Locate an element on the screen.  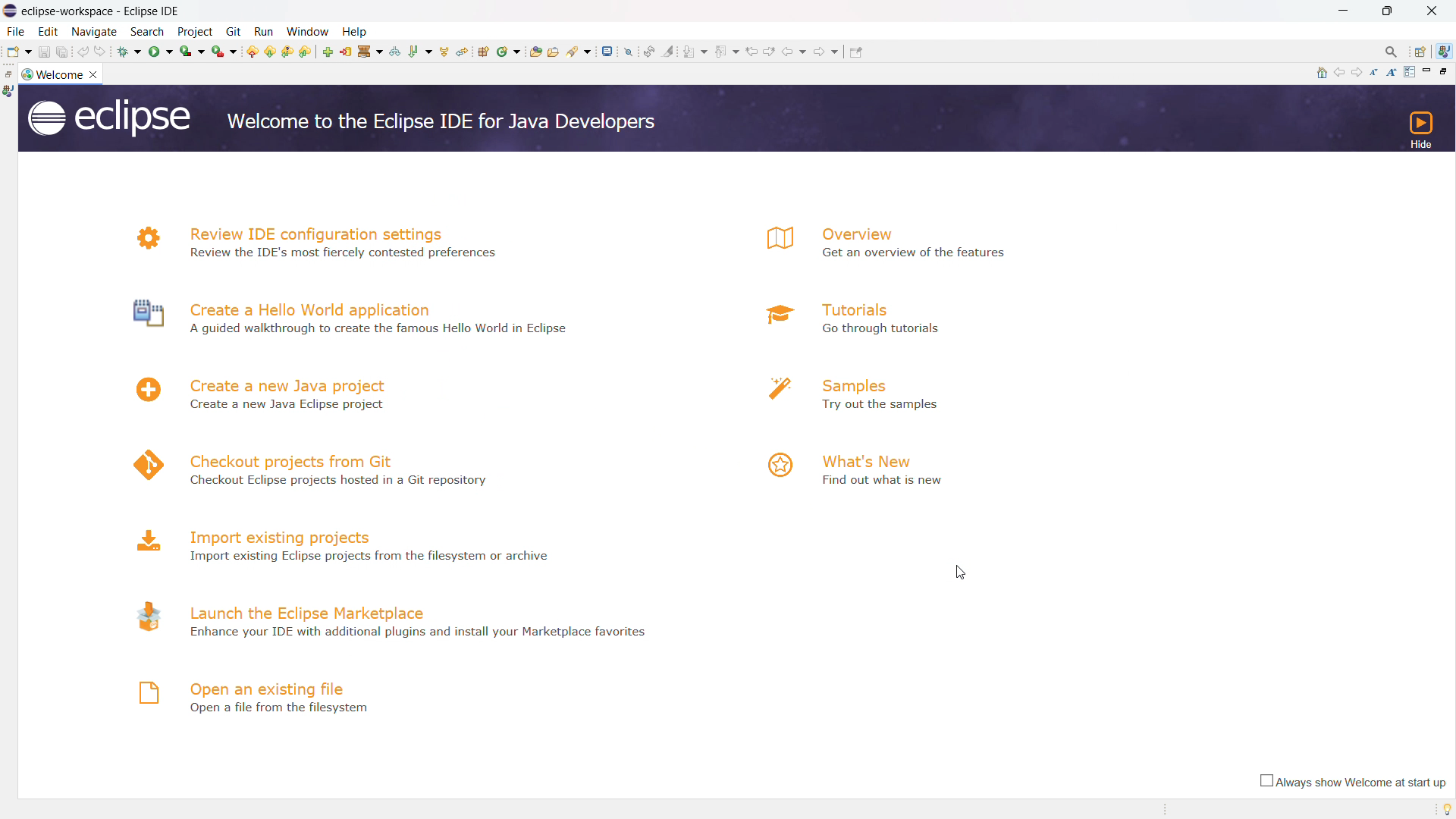
Welcome to the Eclipse IDE for Java Developers is located at coordinates (448, 125).